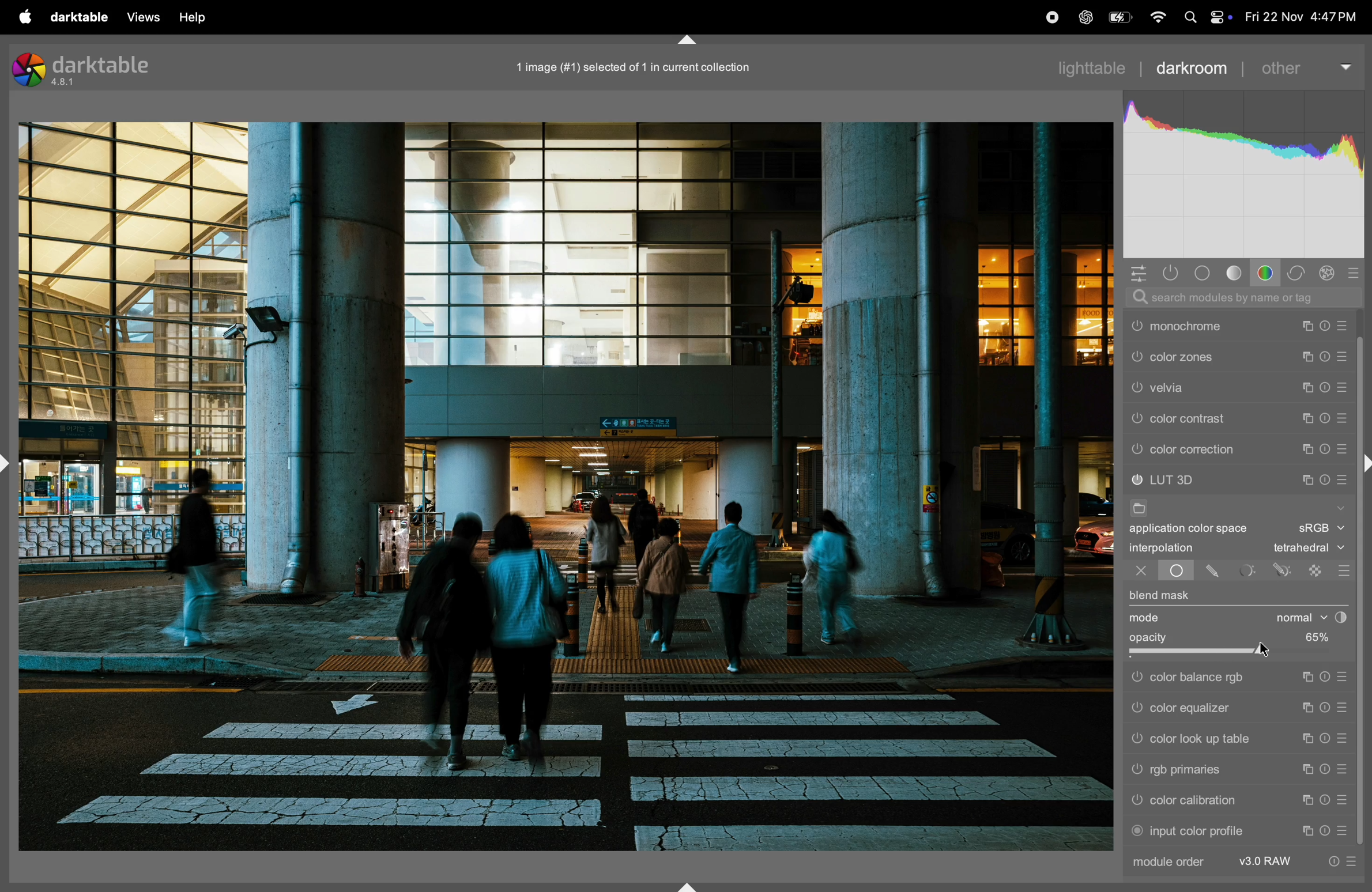 This screenshot has width=1372, height=892. What do you see at coordinates (1136, 357) in the screenshot?
I see `monochrome is switched off` at bounding box center [1136, 357].